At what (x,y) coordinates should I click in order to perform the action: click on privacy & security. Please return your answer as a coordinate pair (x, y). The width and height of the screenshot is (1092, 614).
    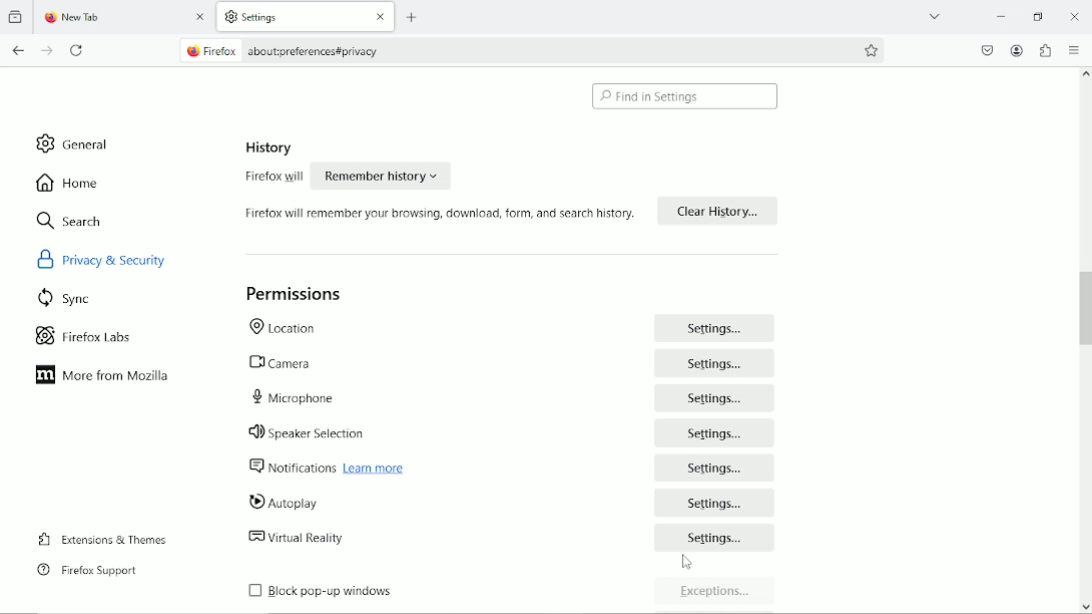
    Looking at the image, I should click on (126, 258).